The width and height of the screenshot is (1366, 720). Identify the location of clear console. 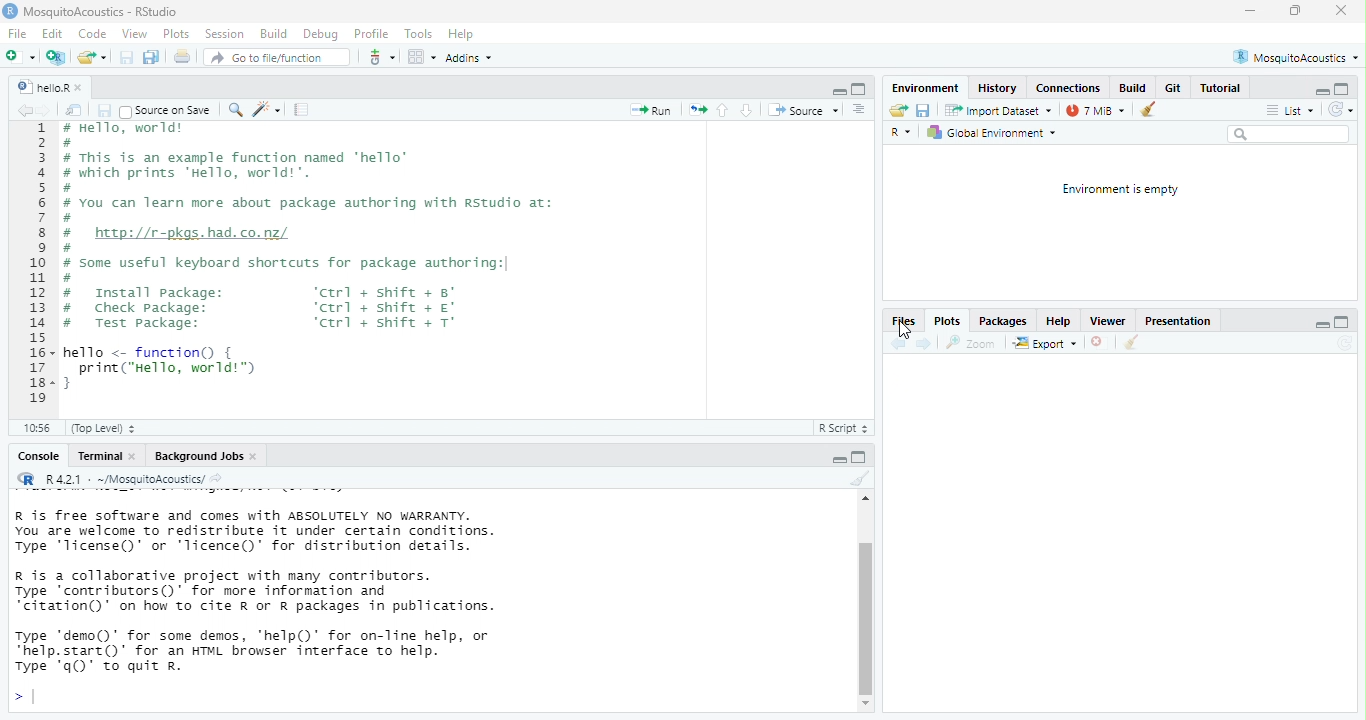
(1134, 343).